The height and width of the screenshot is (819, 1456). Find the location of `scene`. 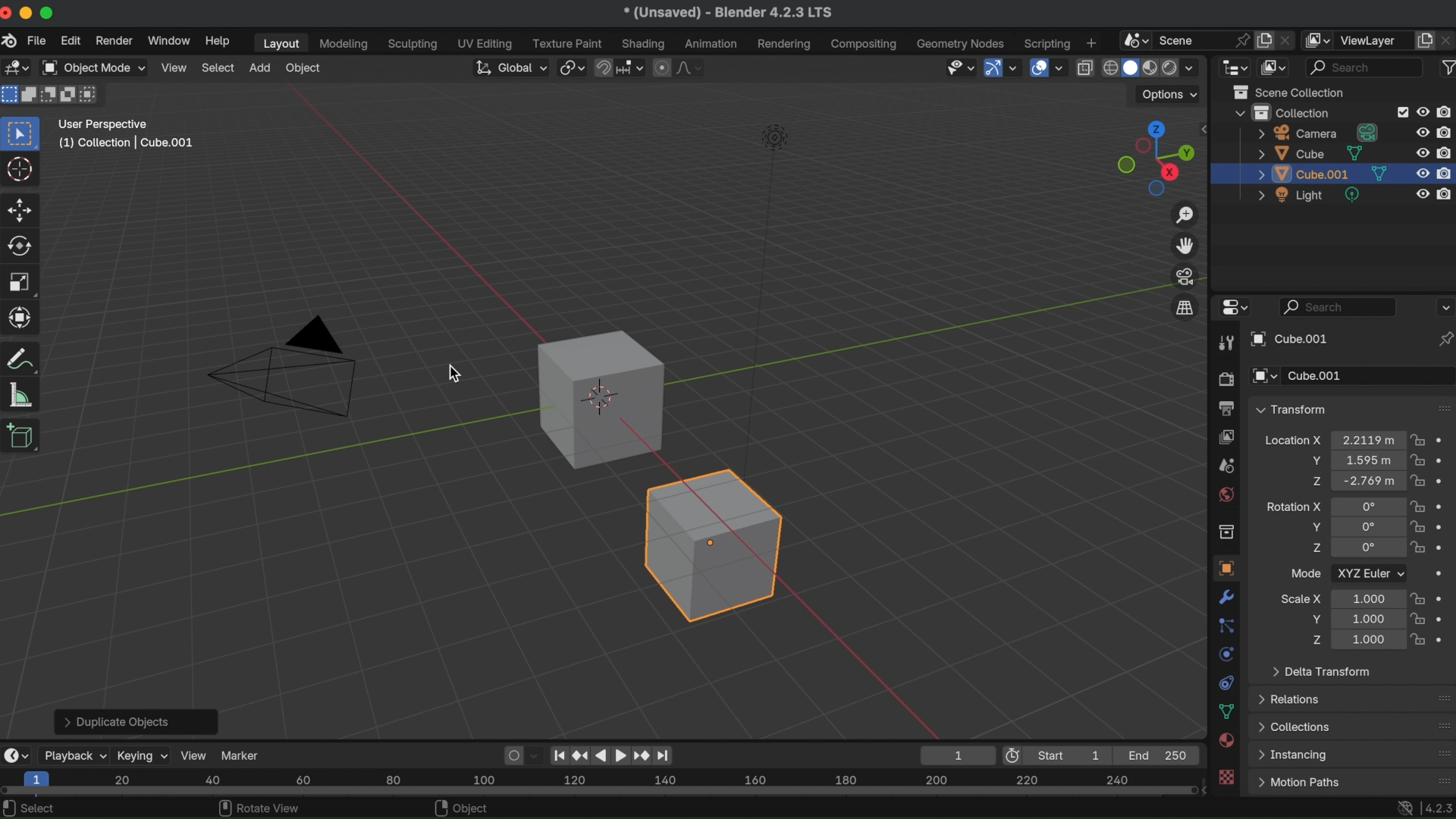

scene is located at coordinates (1184, 39).